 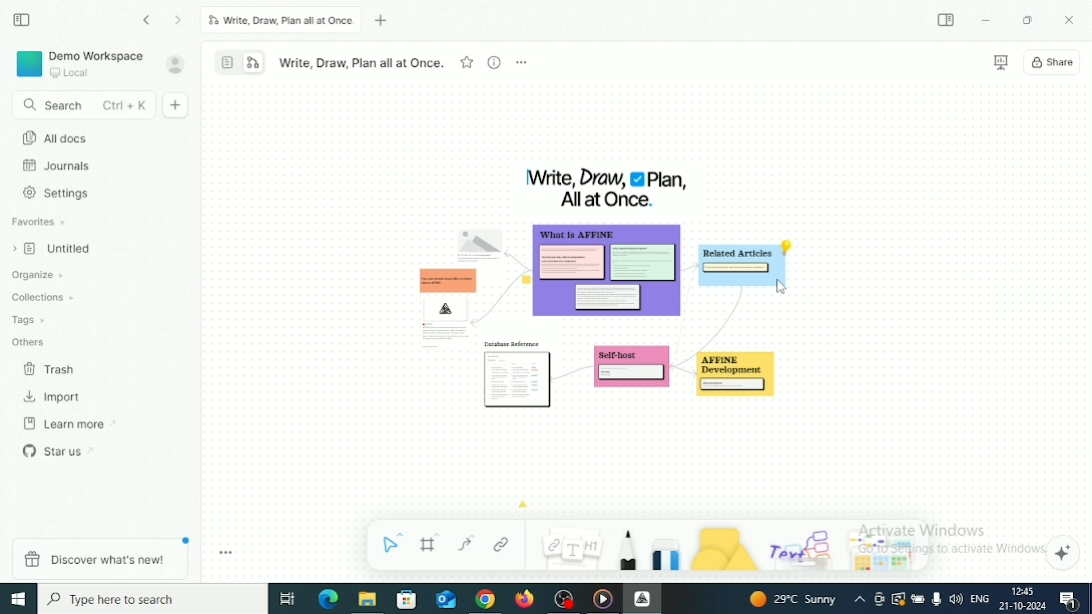 I want to click on Others, so click(x=30, y=341).